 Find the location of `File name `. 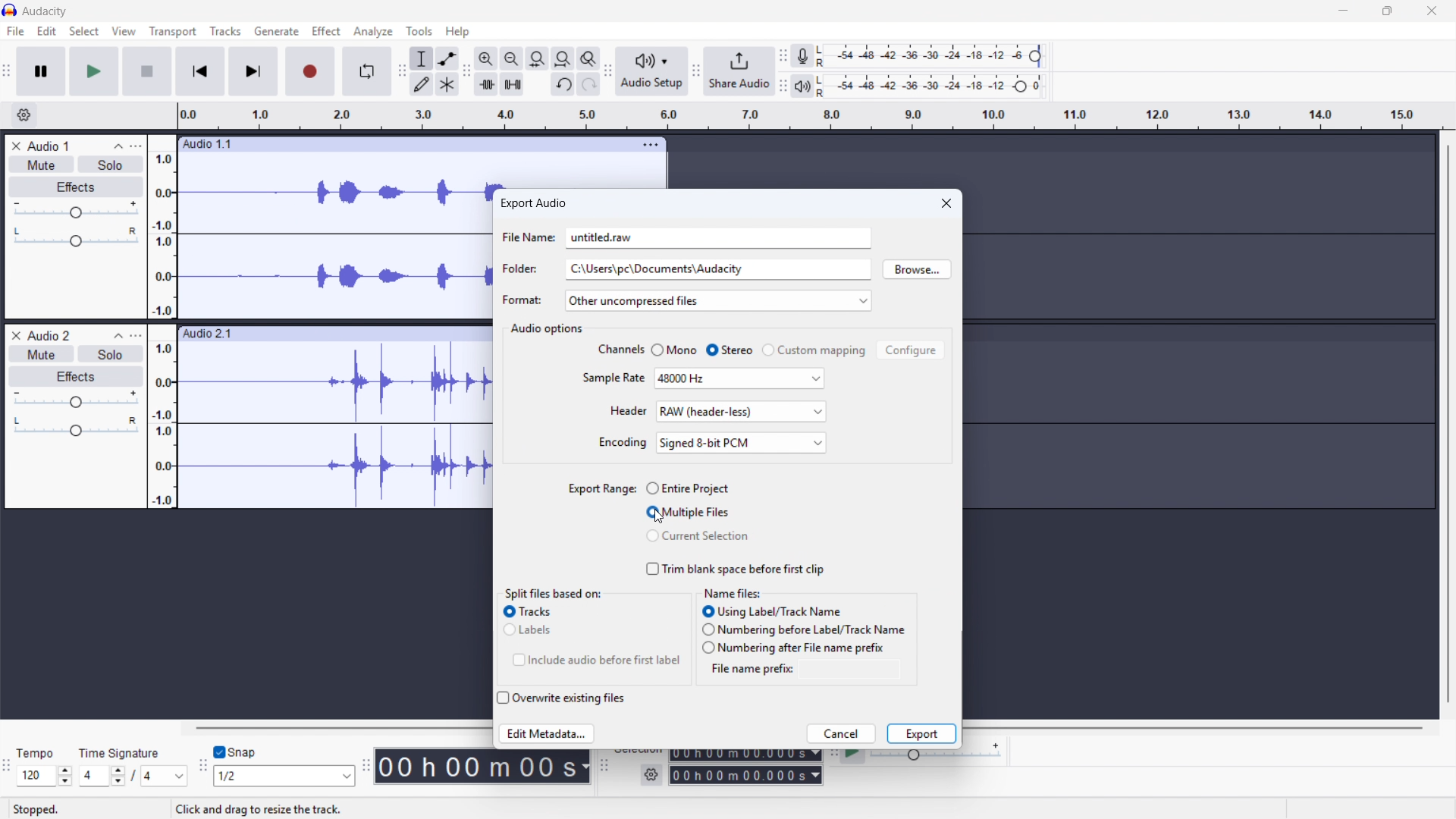

File name  is located at coordinates (718, 238).